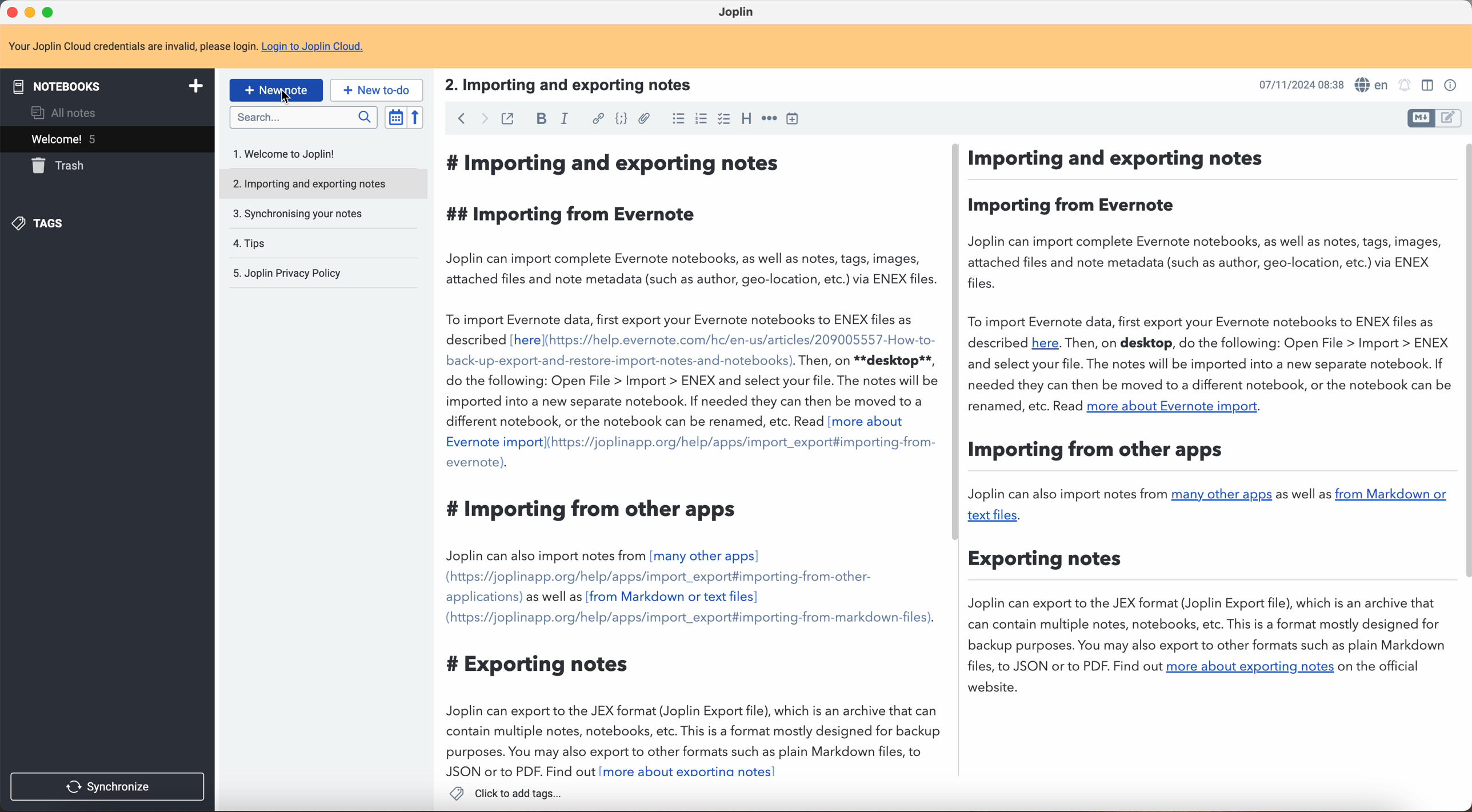  I want to click on click on new note, so click(277, 91).